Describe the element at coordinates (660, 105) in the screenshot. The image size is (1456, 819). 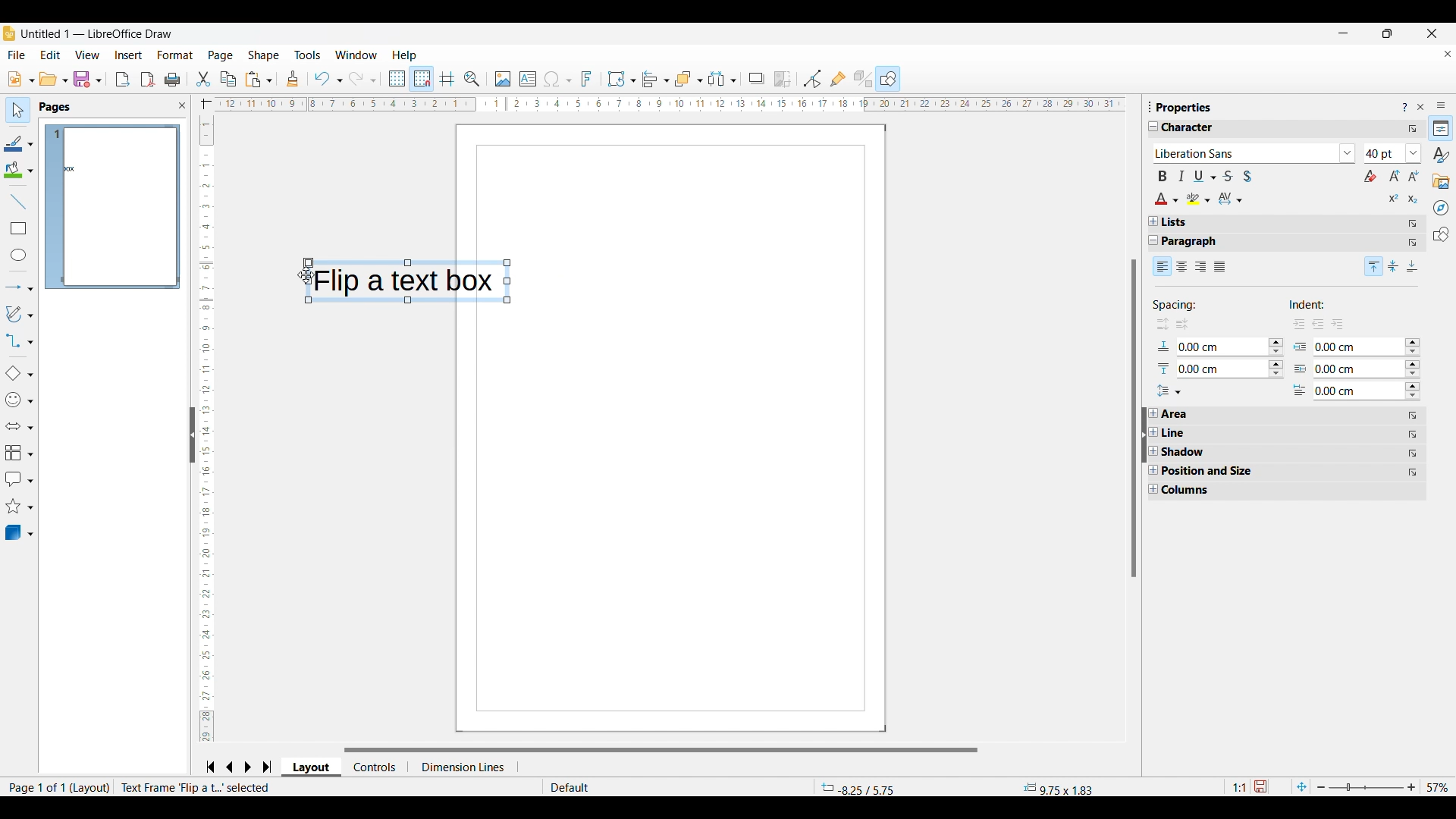
I see `Horizontal ruler` at that location.